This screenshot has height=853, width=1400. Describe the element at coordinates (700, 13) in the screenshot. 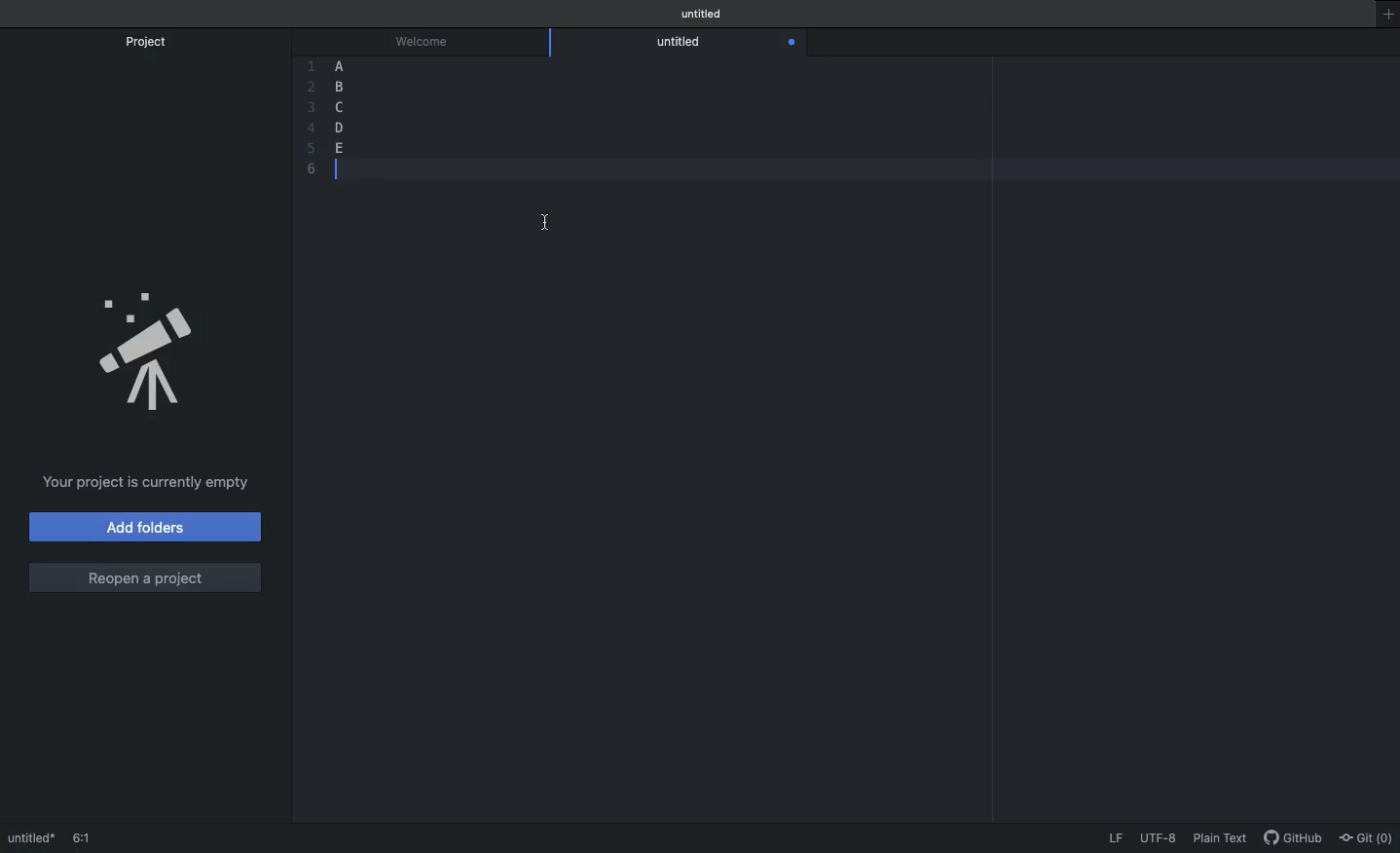

I see `untitled` at that location.